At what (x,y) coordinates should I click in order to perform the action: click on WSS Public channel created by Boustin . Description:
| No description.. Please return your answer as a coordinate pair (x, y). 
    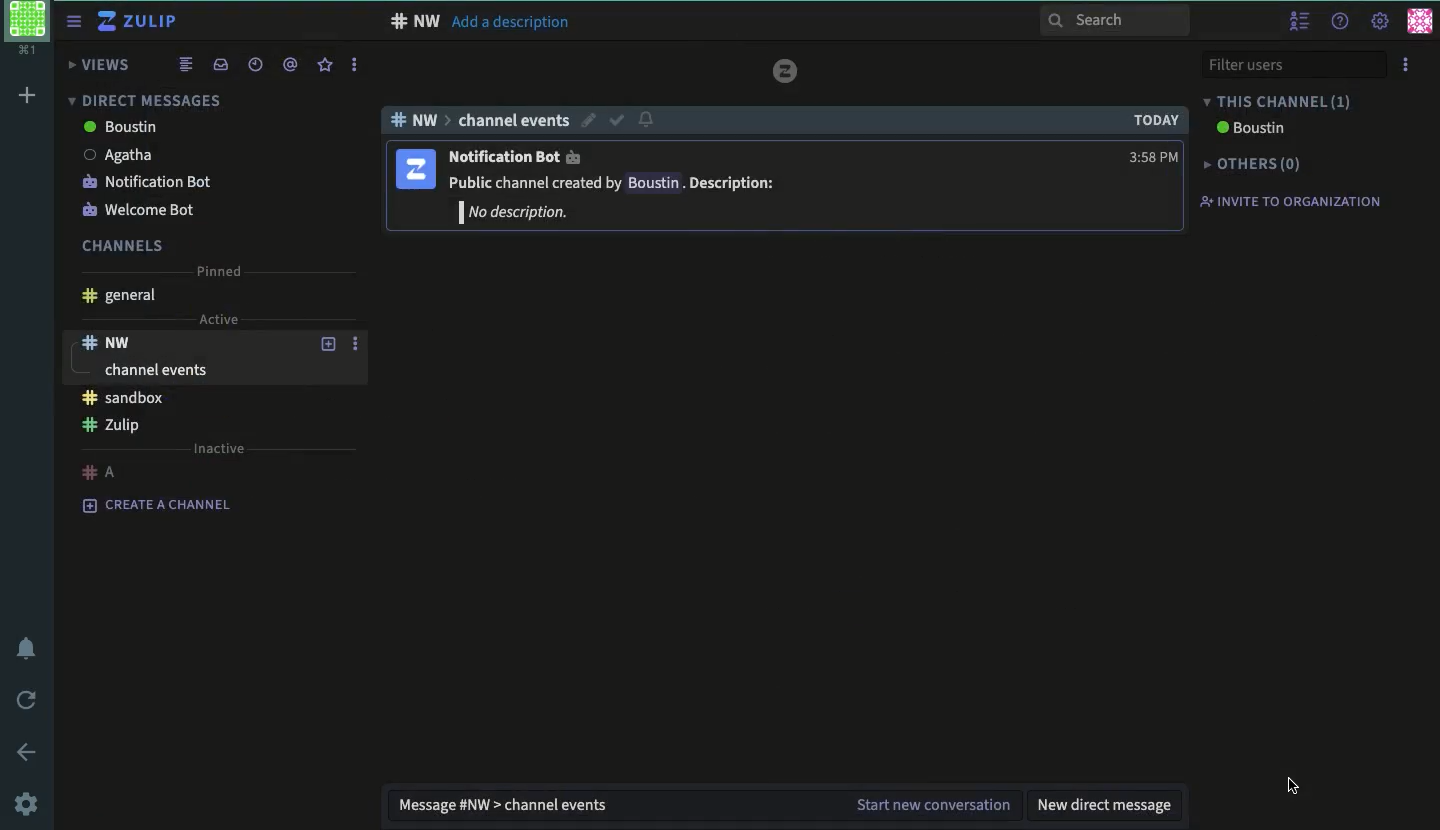
    Looking at the image, I should click on (716, 201).